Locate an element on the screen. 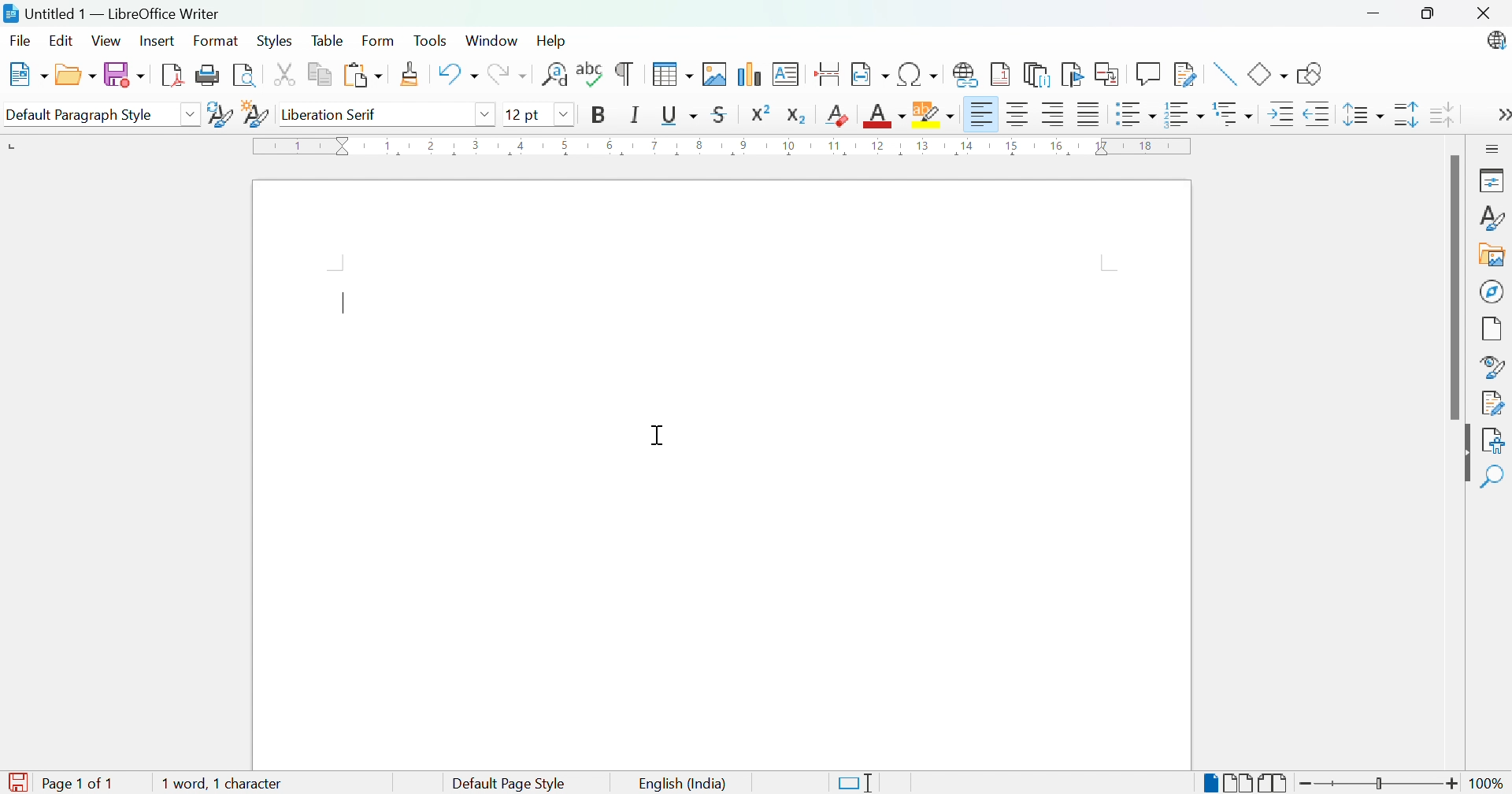  File is located at coordinates (22, 41).